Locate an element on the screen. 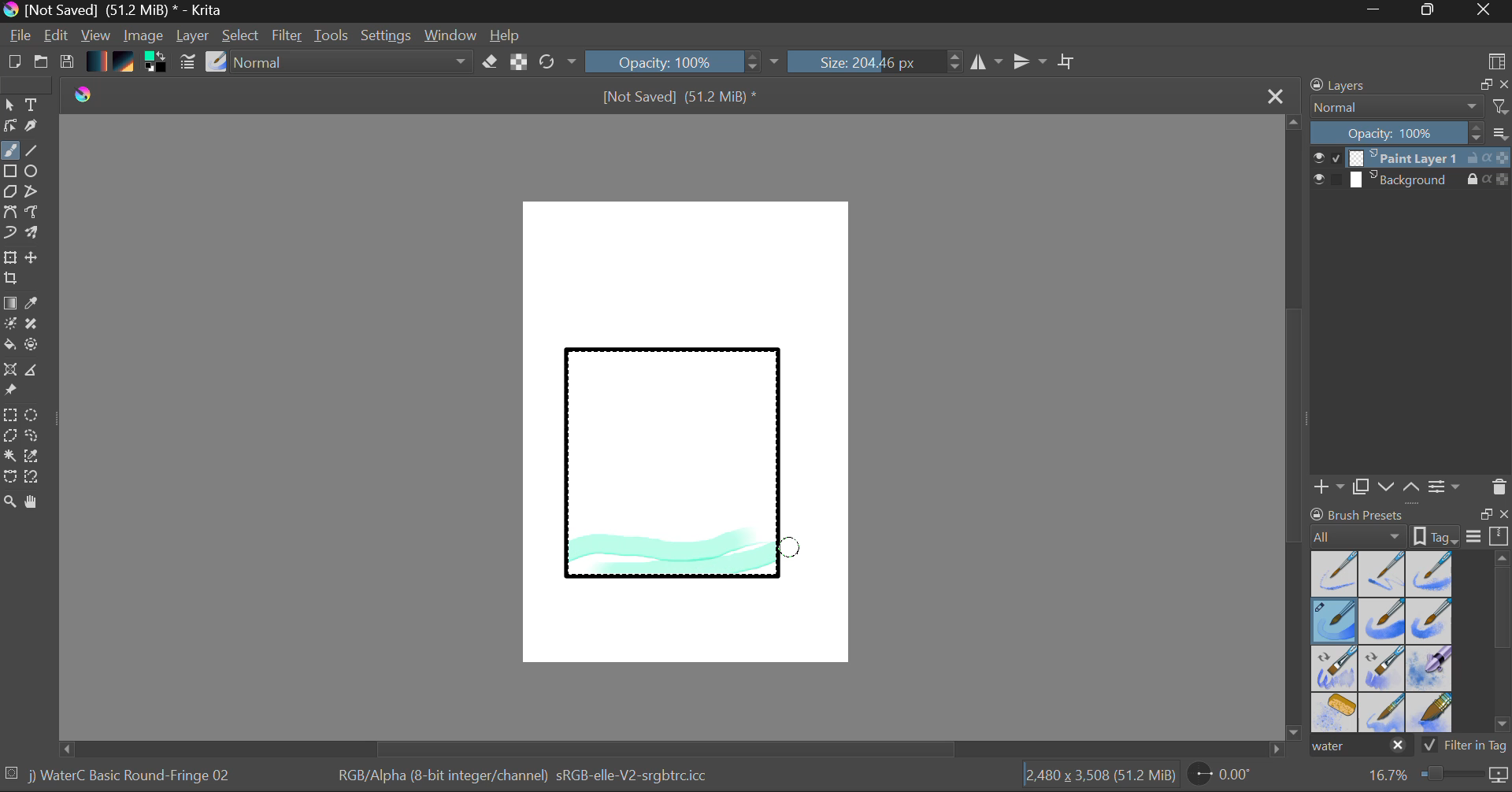 This screenshot has height=792, width=1512. View is located at coordinates (96, 35).